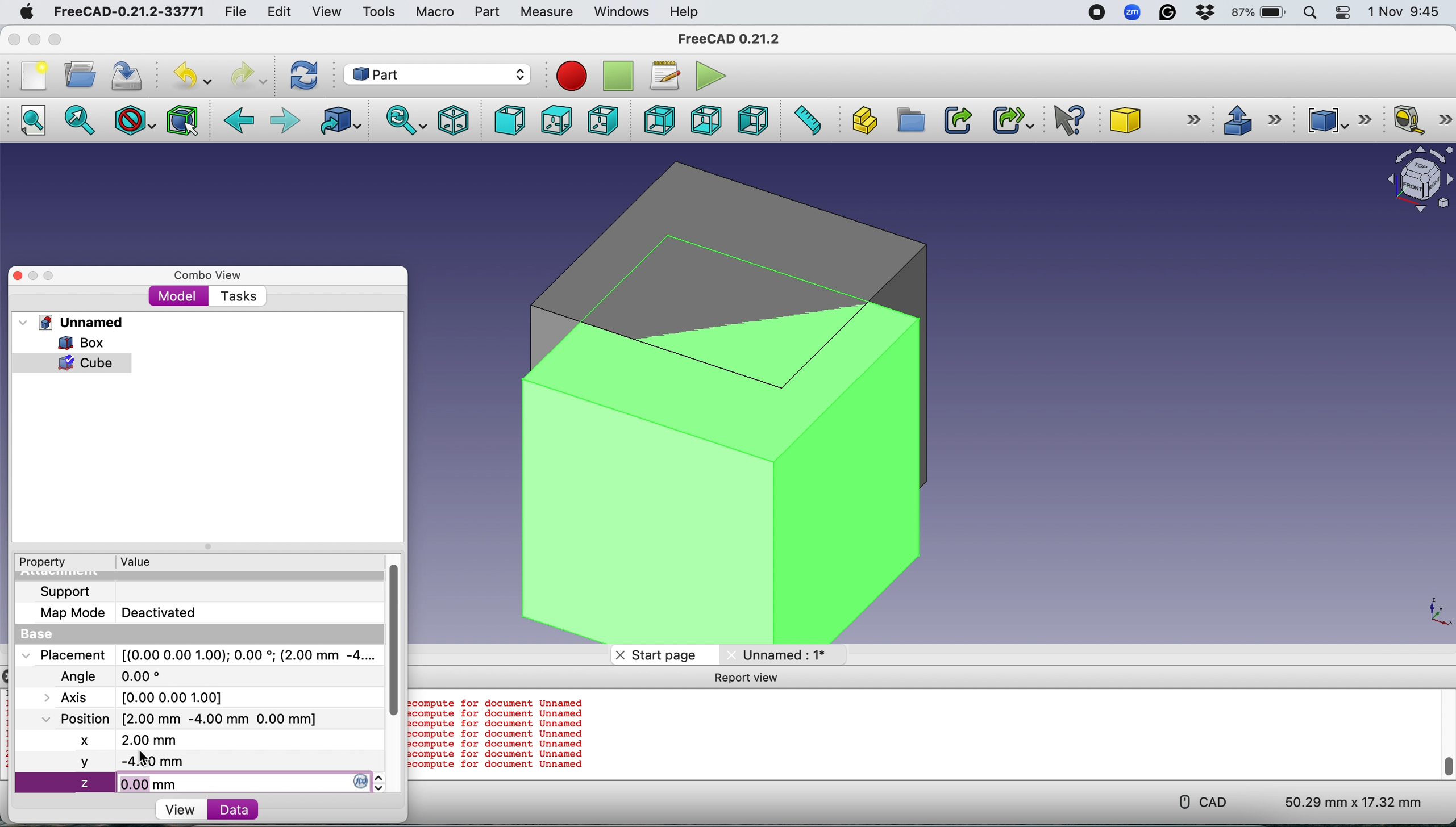 This screenshot has height=827, width=1456. What do you see at coordinates (260, 811) in the screenshot?
I see `Data` at bounding box center [260, 811].